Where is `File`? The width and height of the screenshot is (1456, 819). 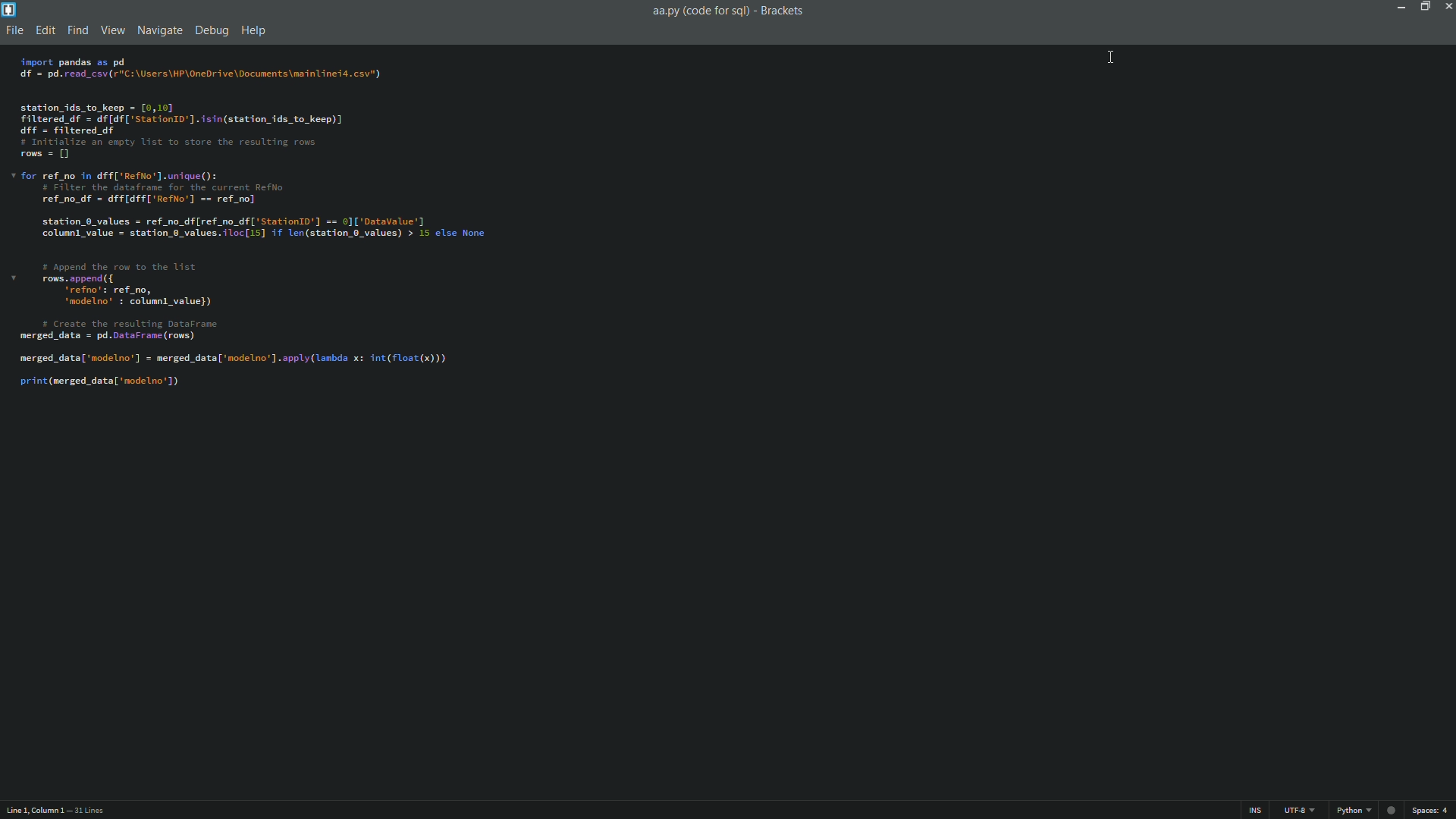 File is located at coordinates (14, 32).